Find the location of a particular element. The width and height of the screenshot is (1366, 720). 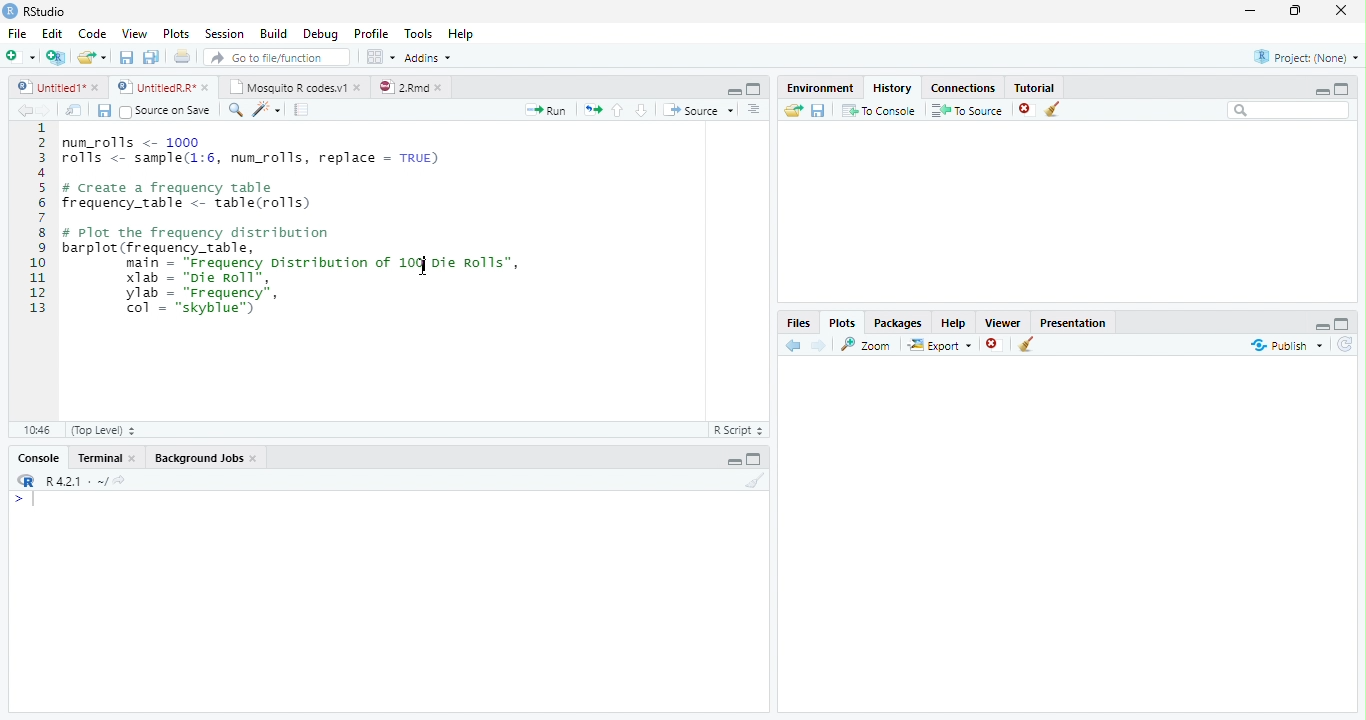

Close is located at coordinates (1343, 11).